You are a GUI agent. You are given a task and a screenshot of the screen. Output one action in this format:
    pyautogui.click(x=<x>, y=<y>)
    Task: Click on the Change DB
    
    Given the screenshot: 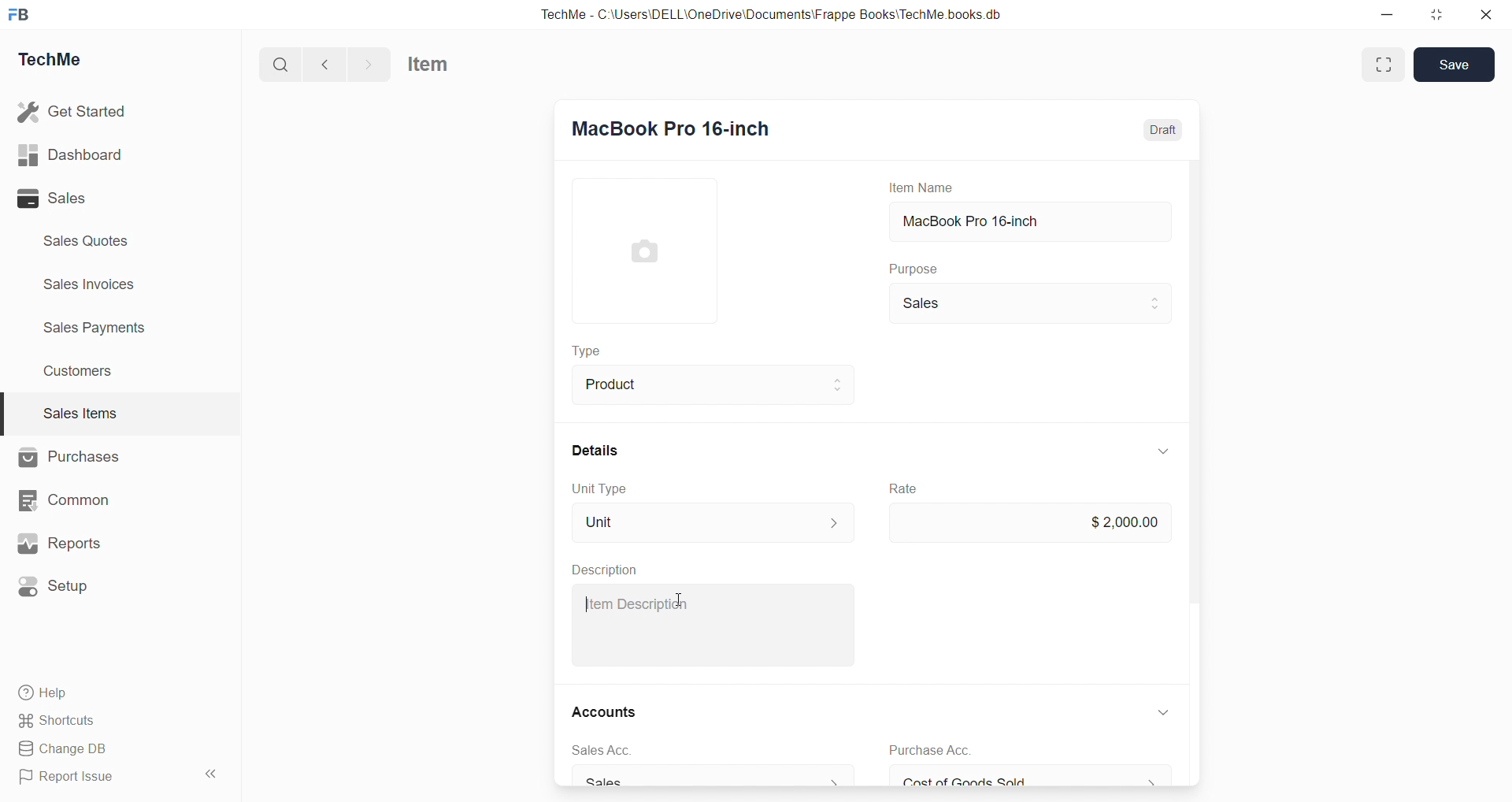 What is the action you would take?
    pyautogui.click(x=64, y=748)
    